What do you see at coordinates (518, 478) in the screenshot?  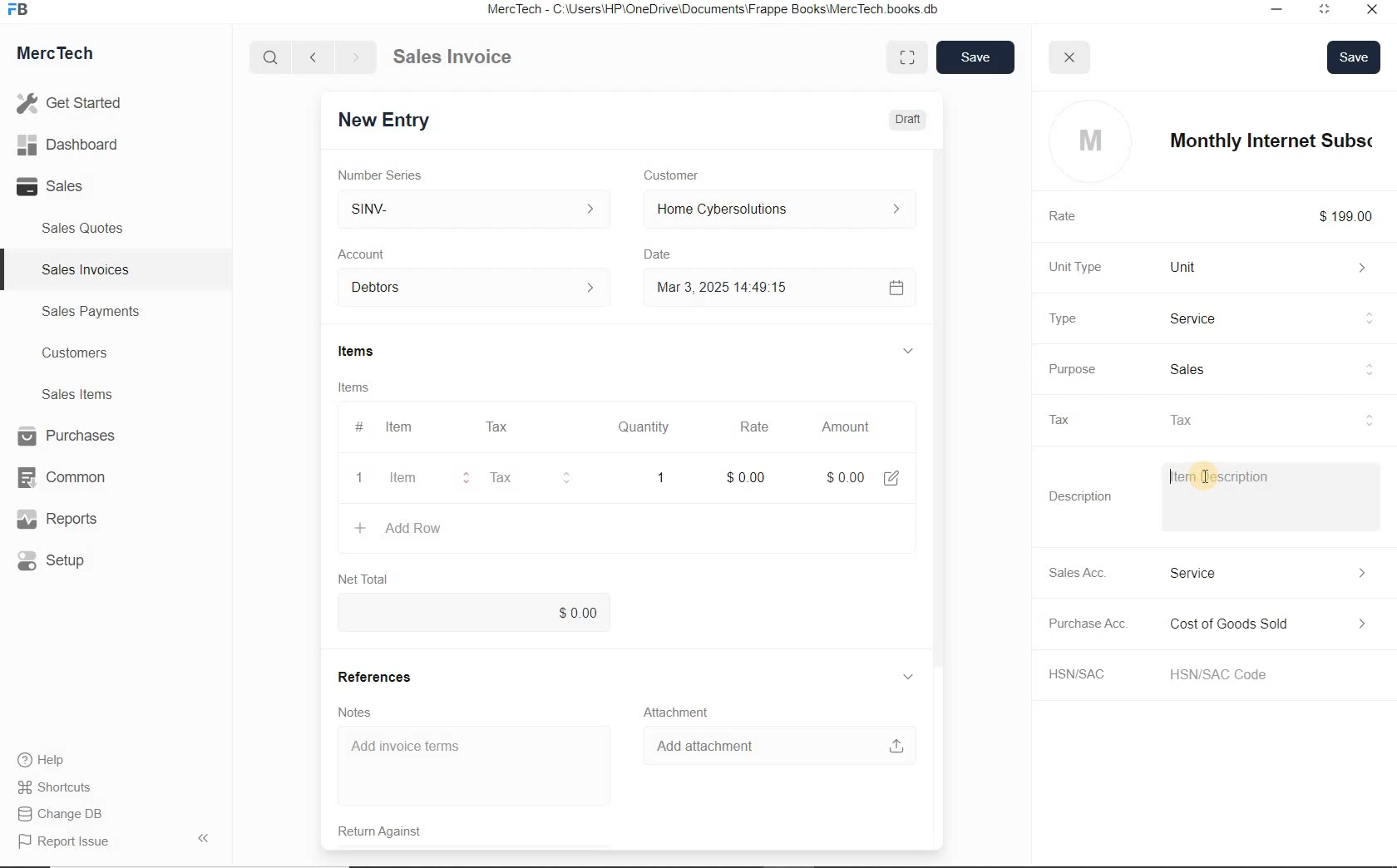 I see `Tax` at bounding box center [518, 478].